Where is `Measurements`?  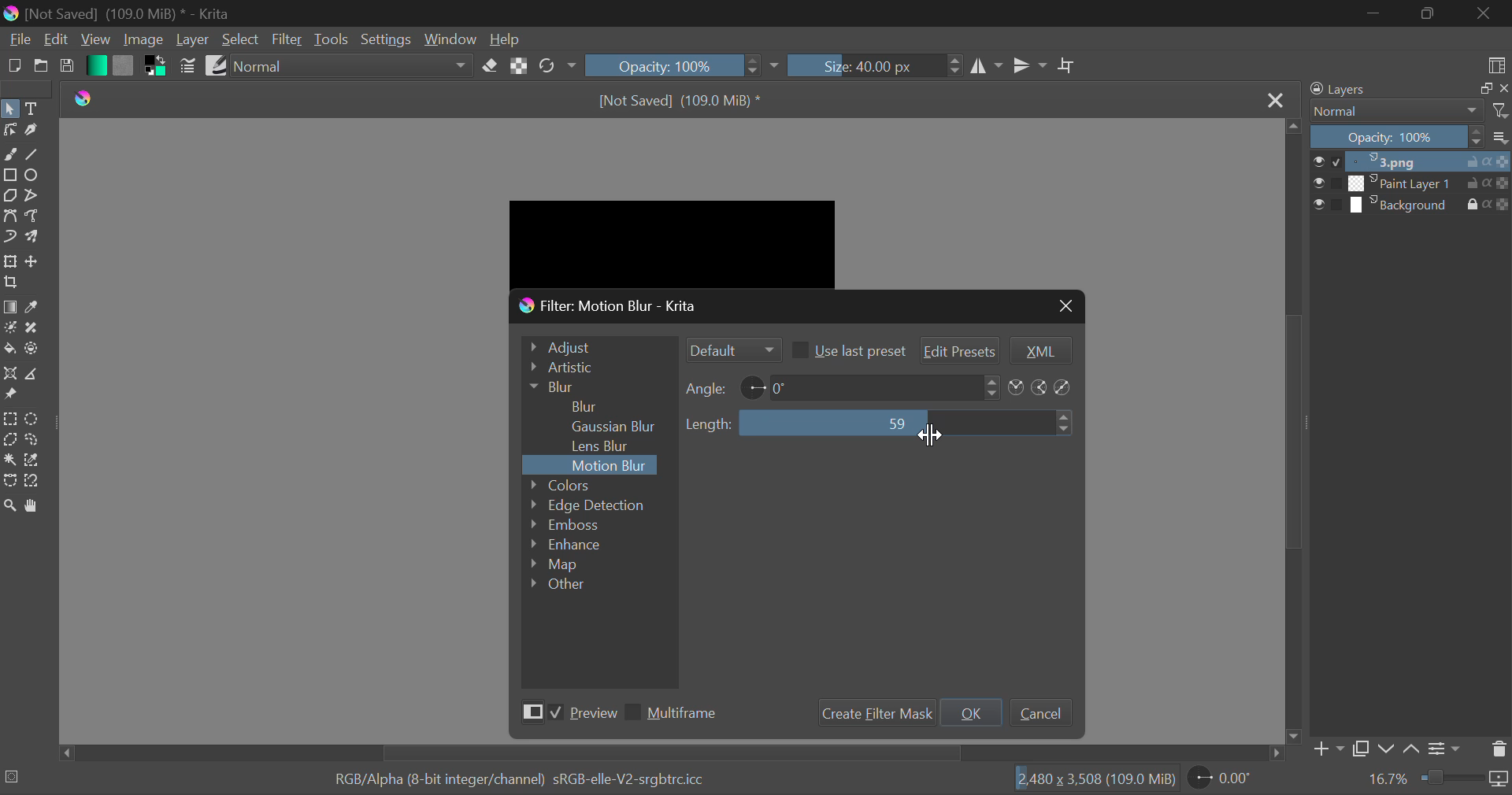 Measurements is located at coordinates (36, 374).